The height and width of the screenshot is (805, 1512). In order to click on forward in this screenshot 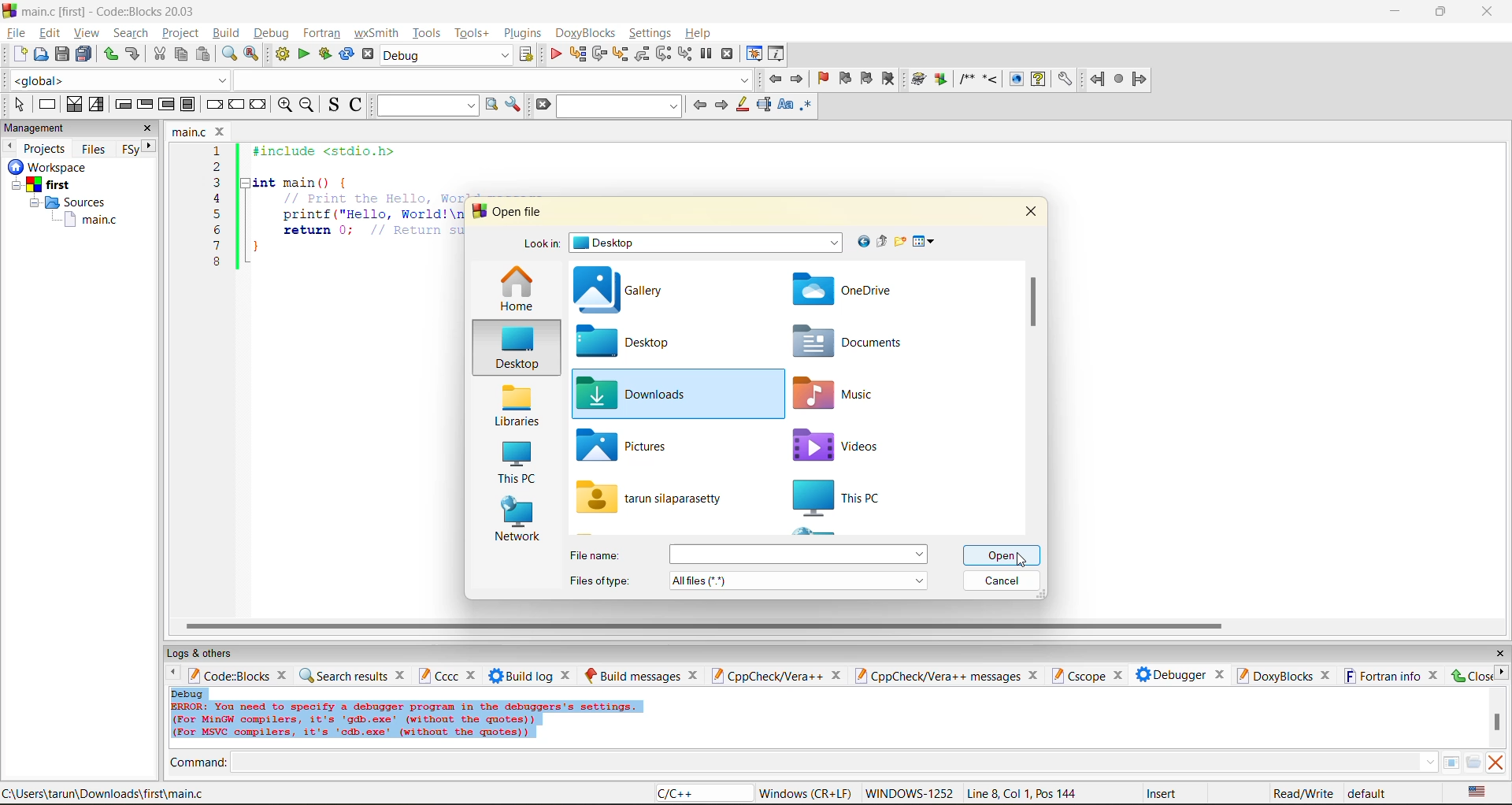, I will do `click(1140, 79)`.